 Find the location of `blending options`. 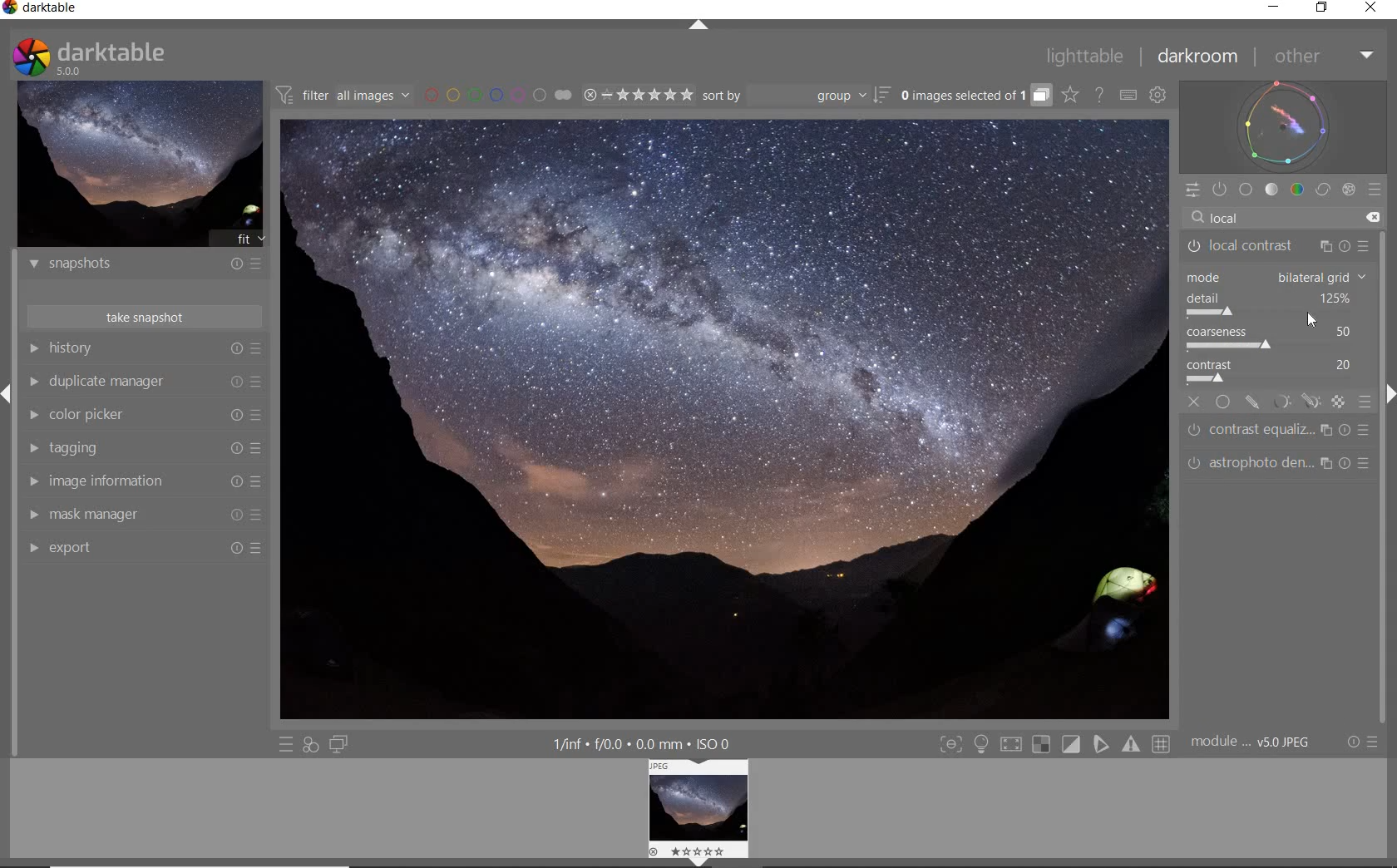

blending options is located at coordinates (1366, 402).